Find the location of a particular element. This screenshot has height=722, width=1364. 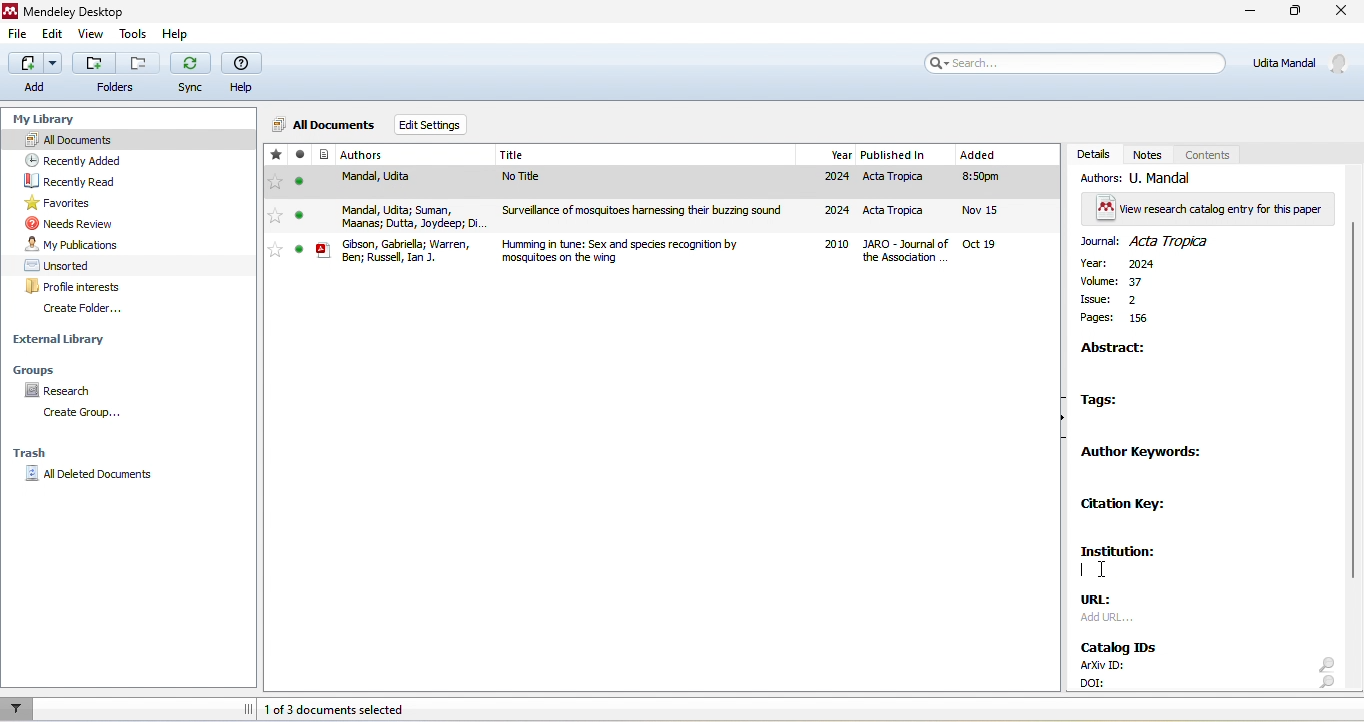

view is located at coordinates (88, 35).